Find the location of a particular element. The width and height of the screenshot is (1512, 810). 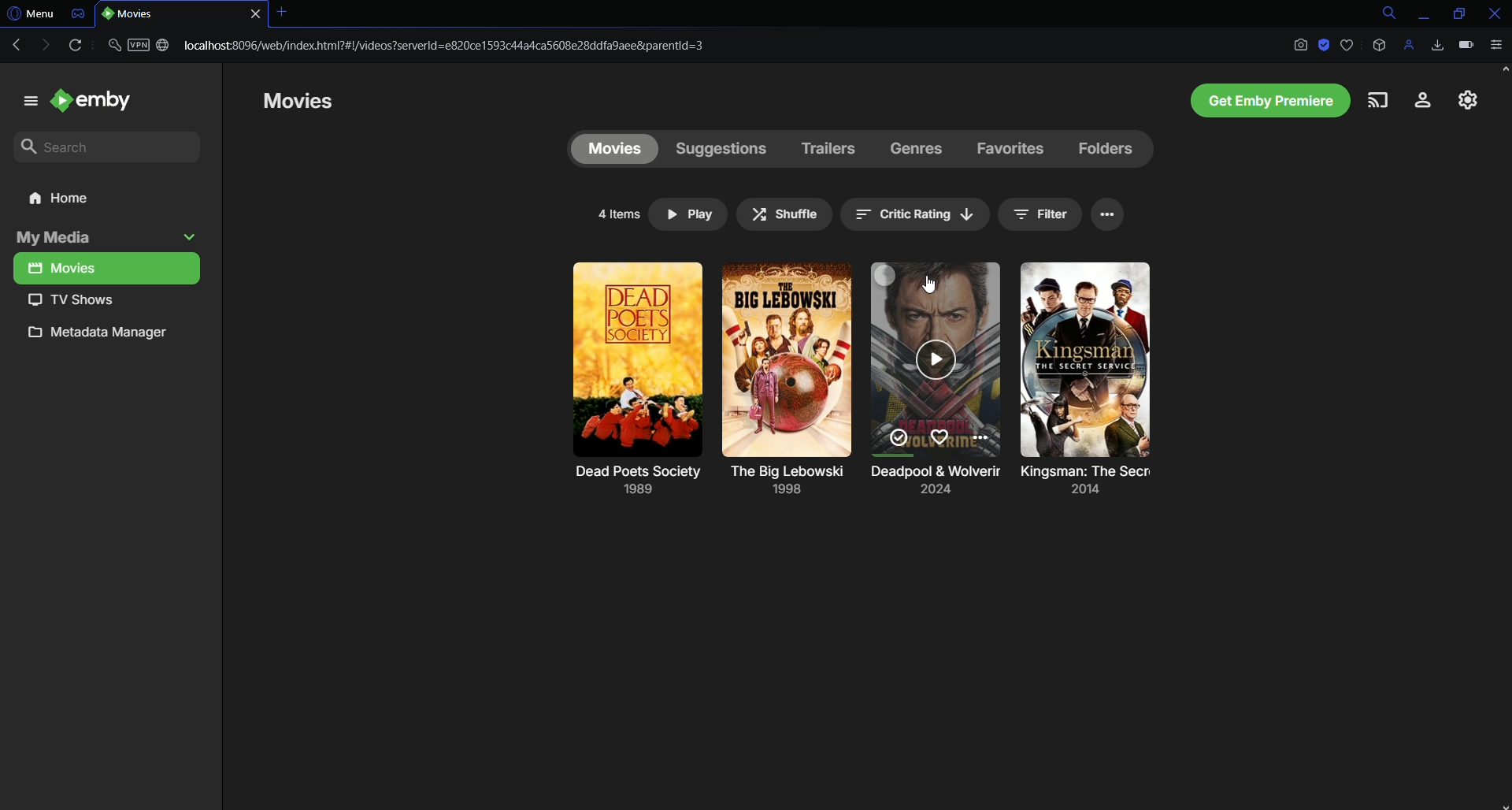

Metadata manager is located at coordinates (106, 336).